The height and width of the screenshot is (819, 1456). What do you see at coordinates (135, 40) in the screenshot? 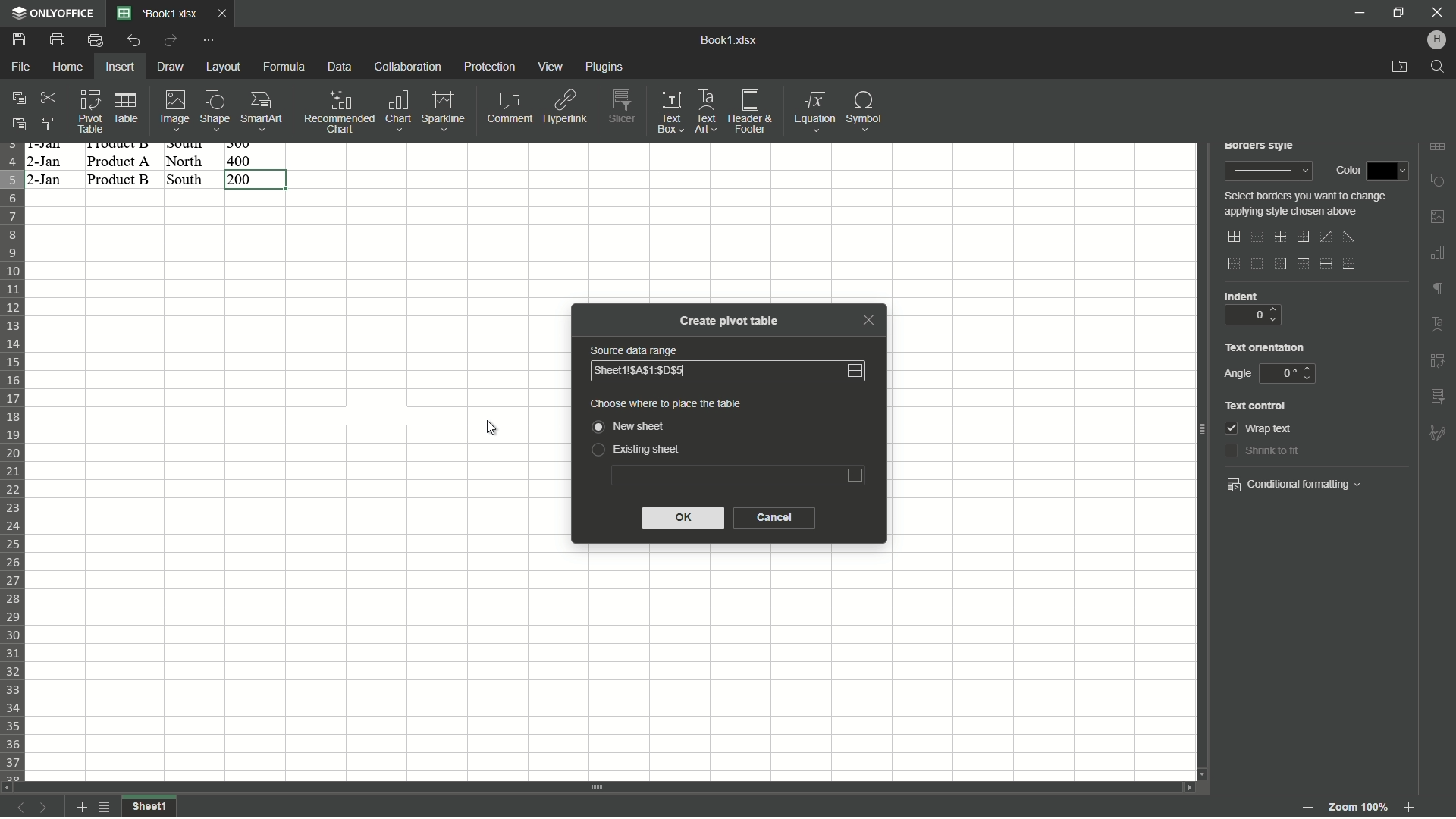
I see `Undo` at bounding box center [135, 40].